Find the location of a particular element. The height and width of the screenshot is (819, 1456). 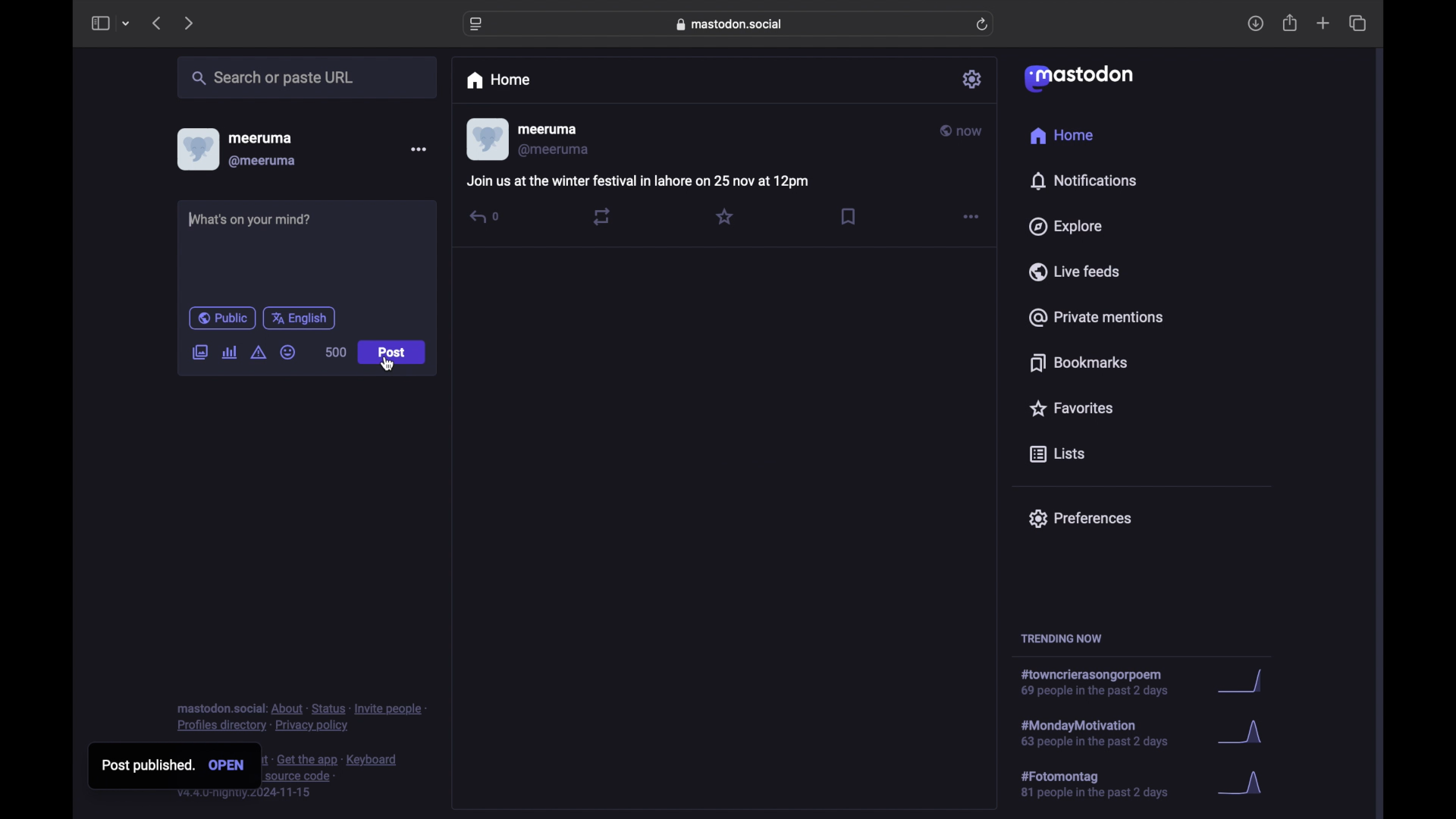

home is located at coordinates (1063, 138).